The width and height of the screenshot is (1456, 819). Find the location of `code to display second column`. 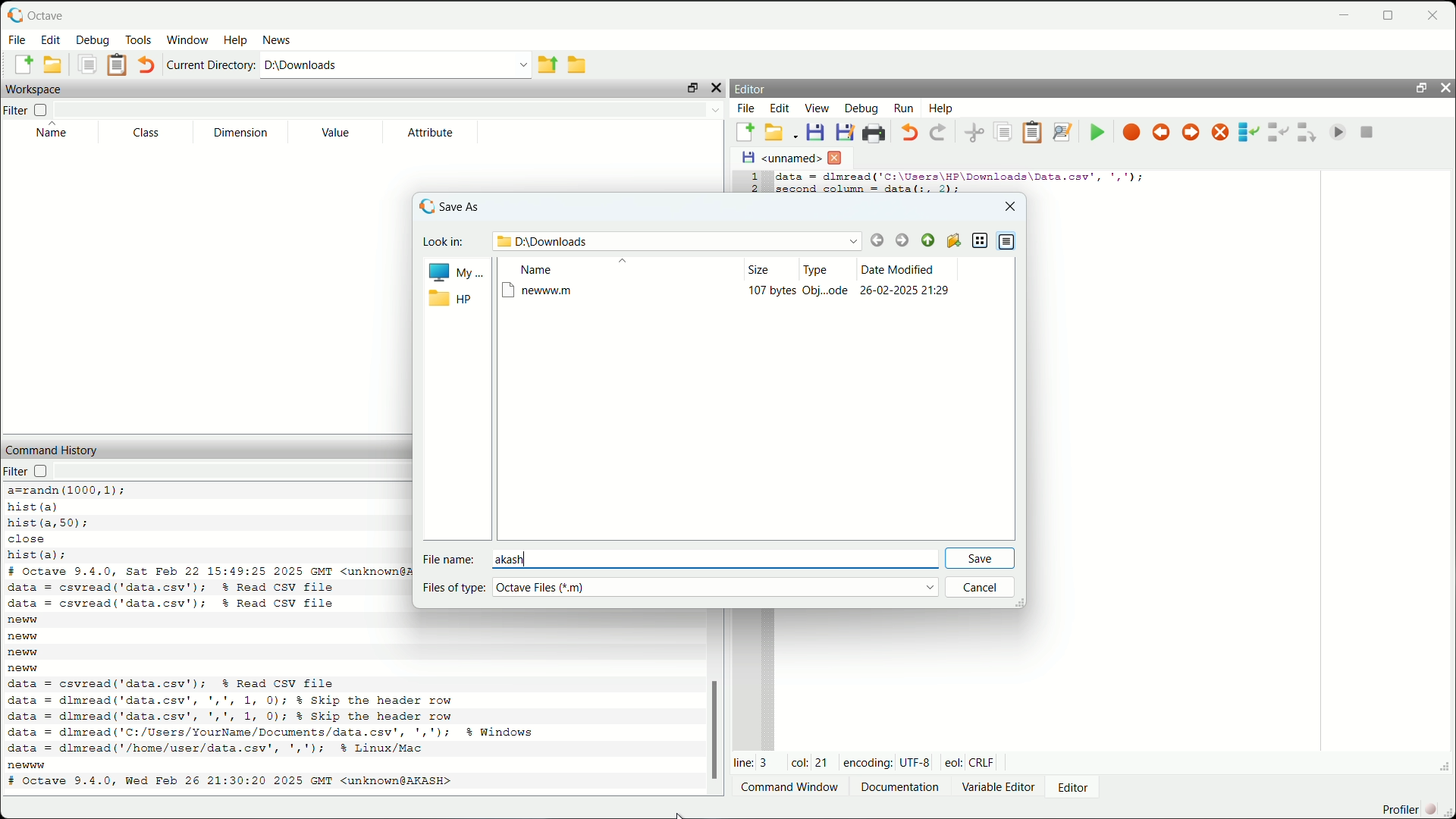

code to display second column is located at coordinates (965, 183).